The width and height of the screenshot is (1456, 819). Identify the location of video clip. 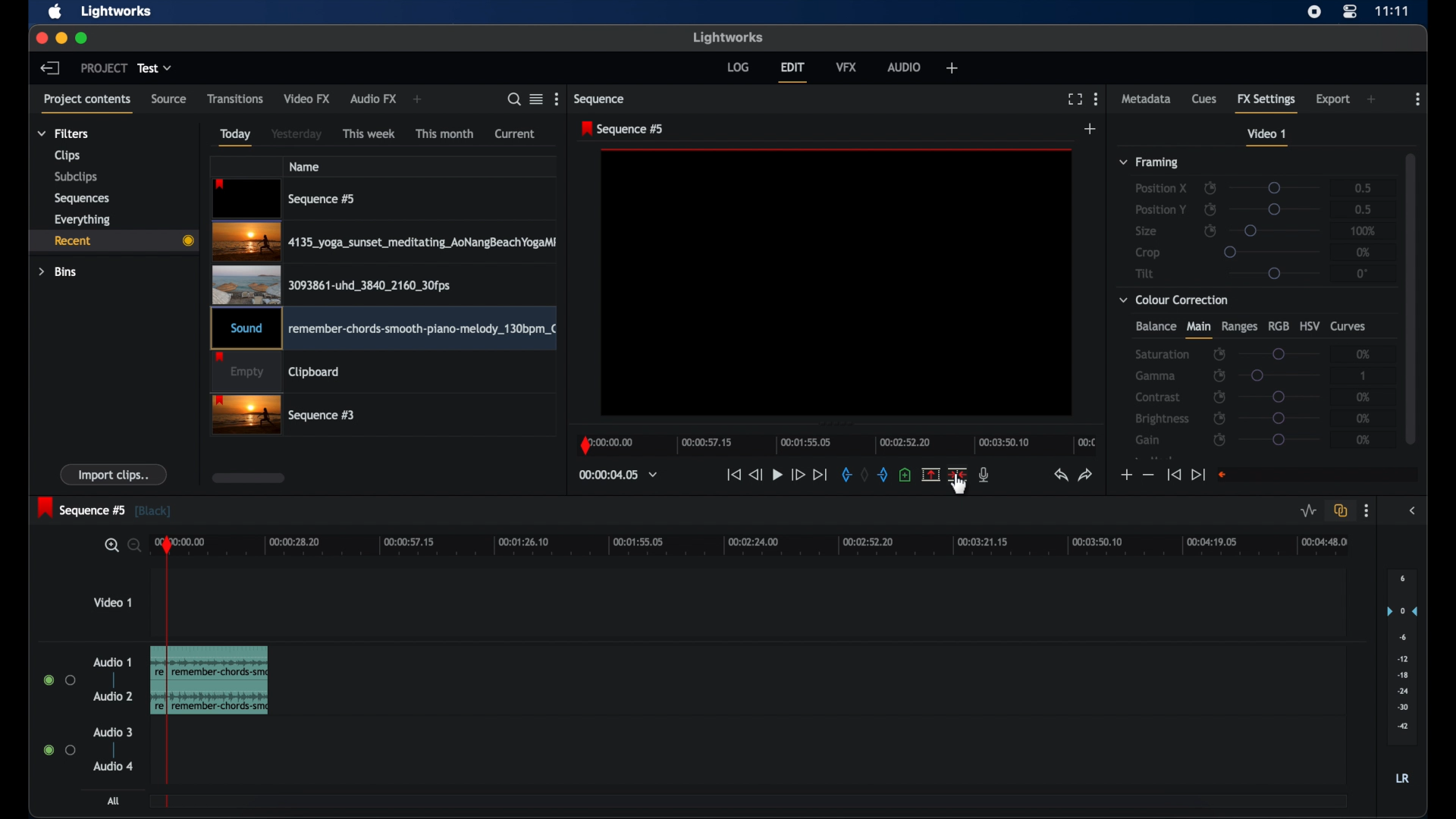
(276, 373).